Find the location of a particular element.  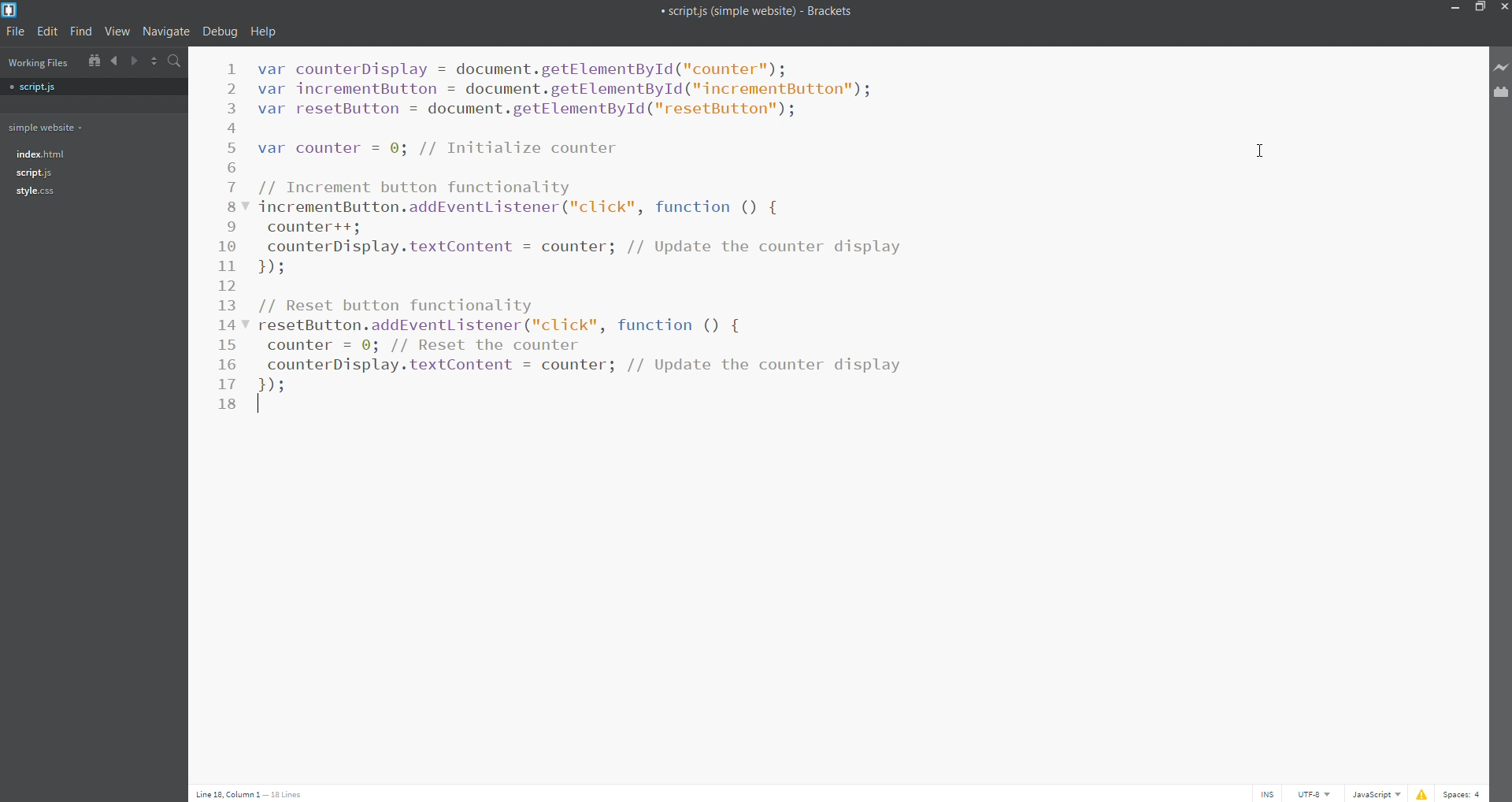

show in file tree is located at coordinates (91, 61).